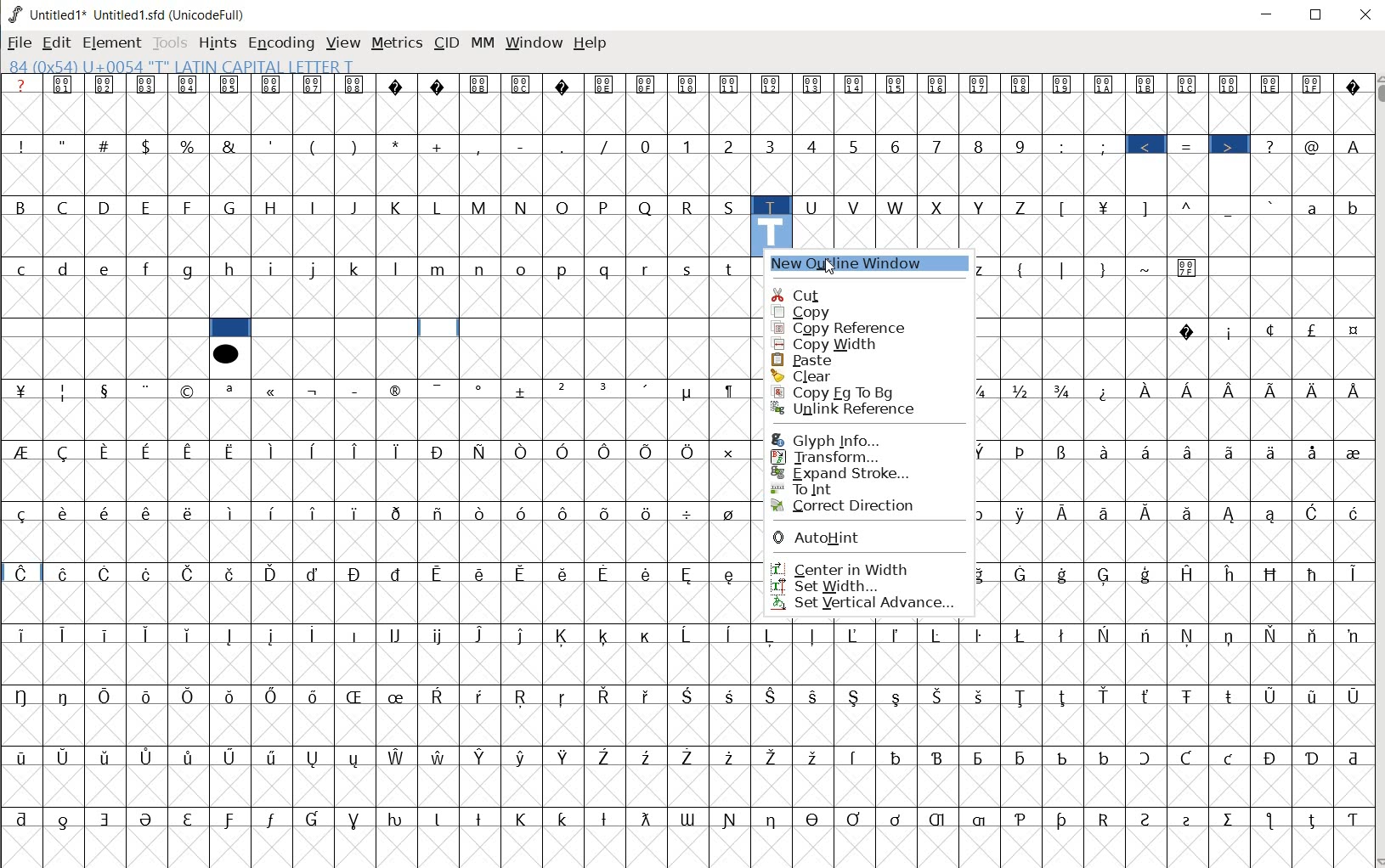 The width and height of the screenshot is (1385, 868). I want to click on Symbol, so click(690, 512).